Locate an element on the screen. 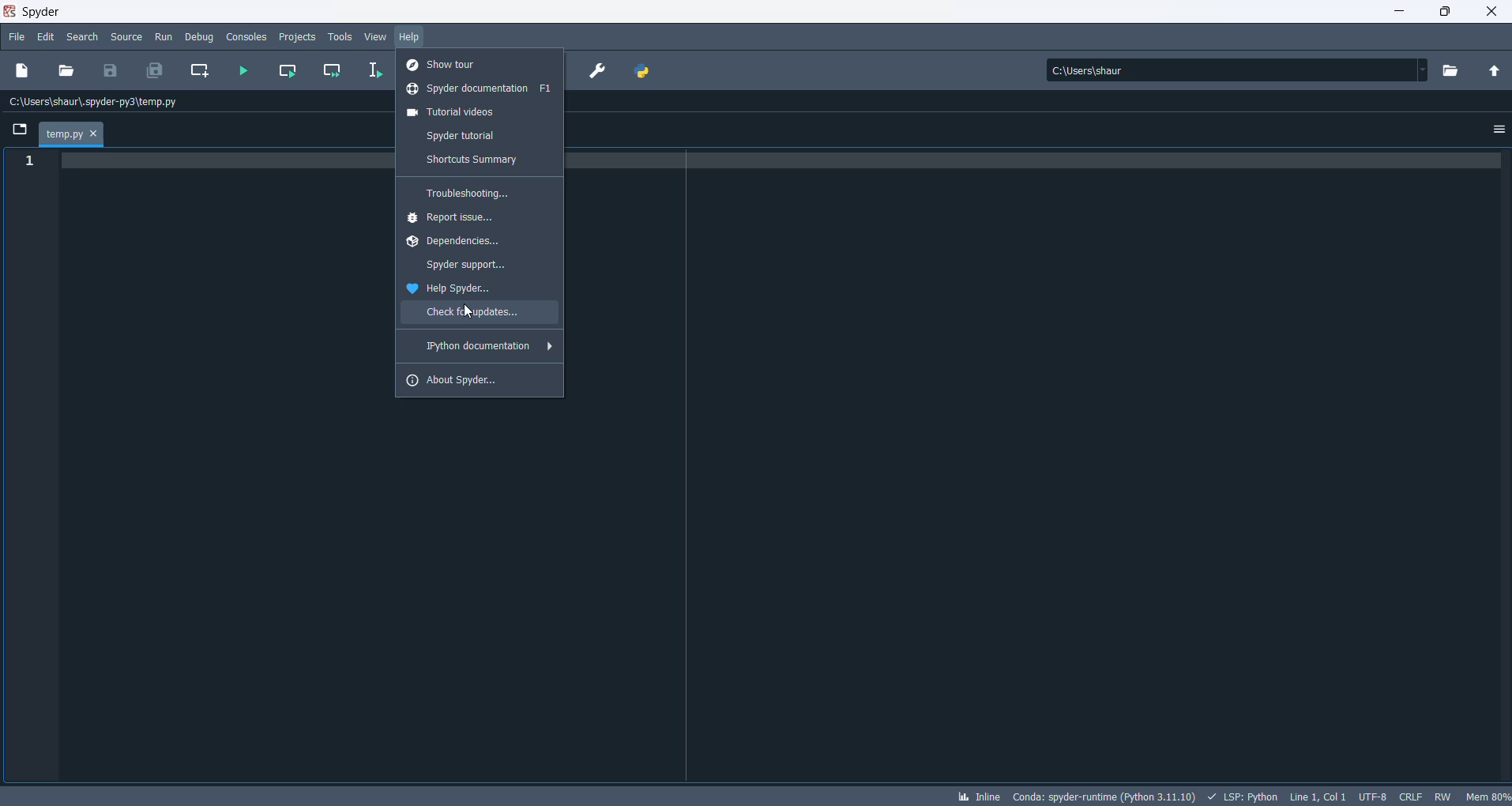  search is located at coordinates (83, 39).